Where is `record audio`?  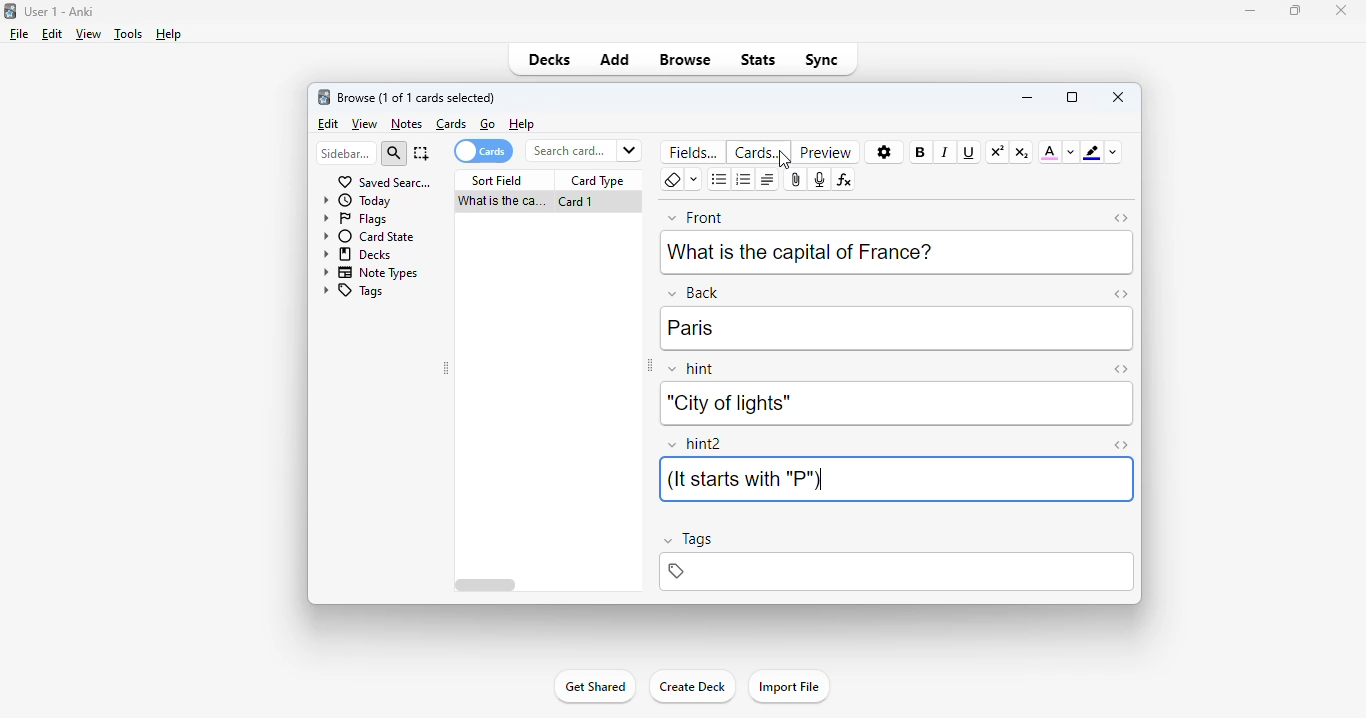 record audio is located at coordinates (819, 180).